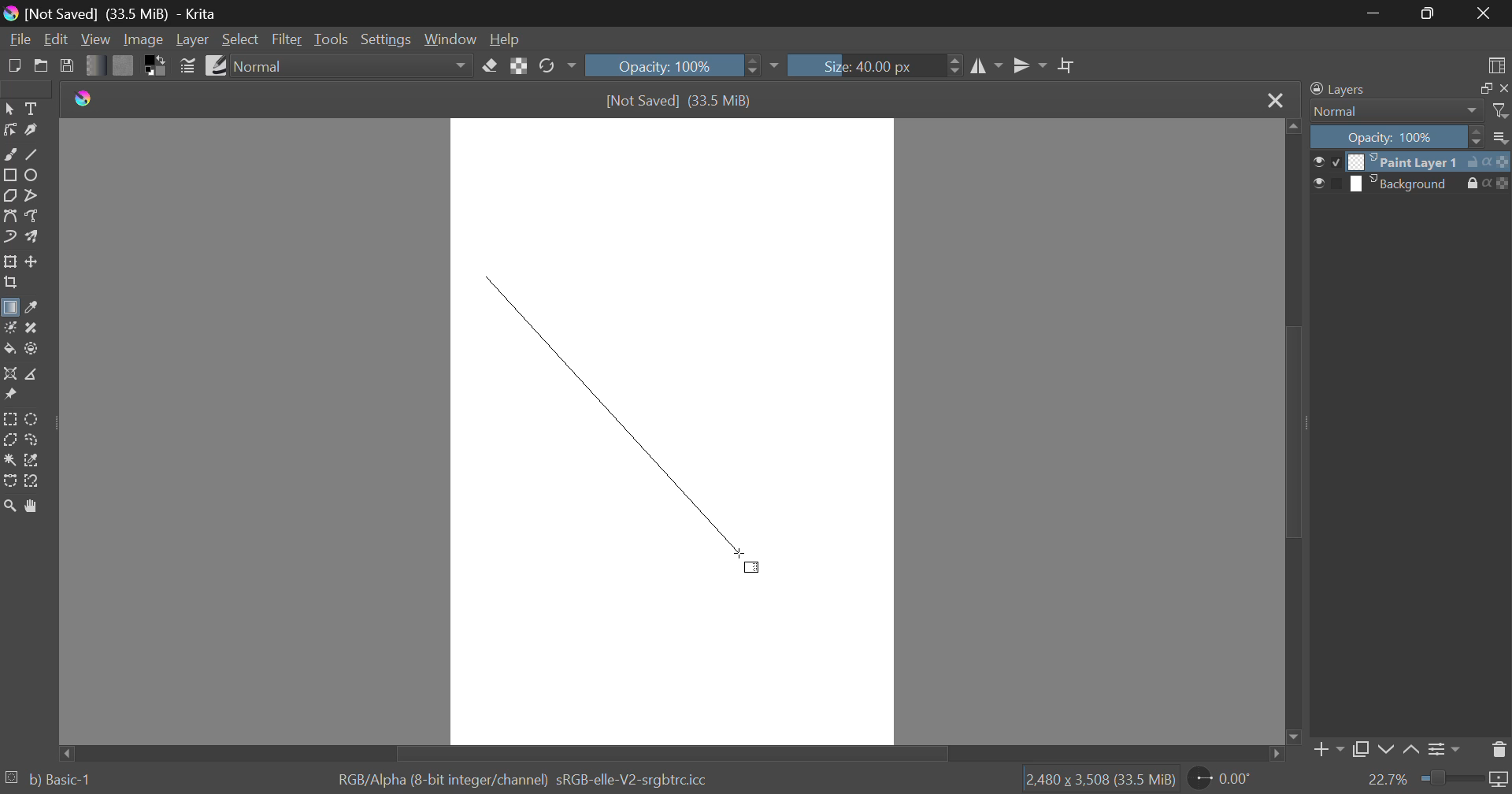  What do you see at coordinates (1476, 161) in the screenshot?
I see `unlock` at bounding box center [1476, 161].